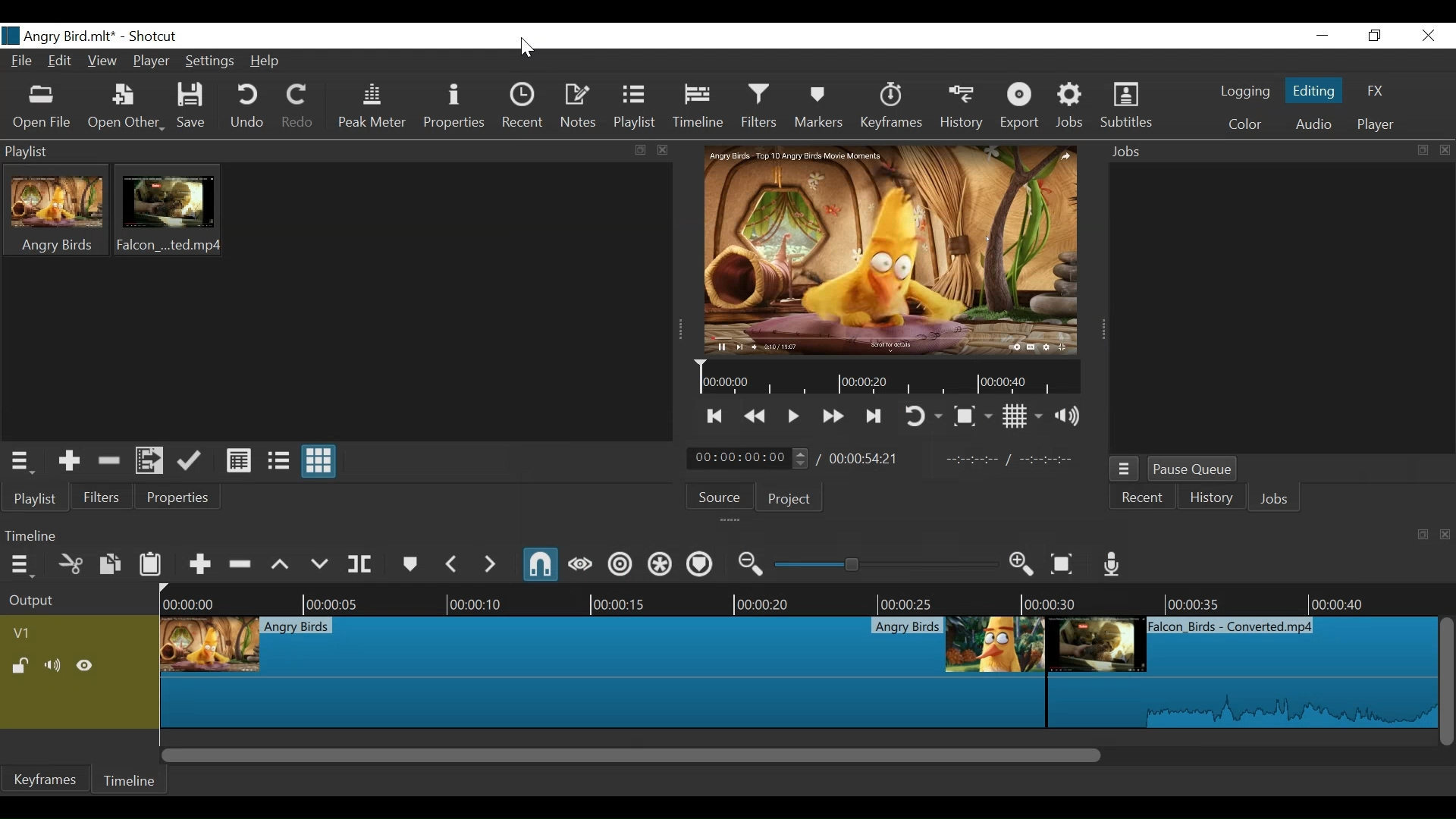 The image size is (1456, 819). What do you see at coordinates (1323, 36) in the screenshot?
I see `minimize` at bounding box center [1323, 36].